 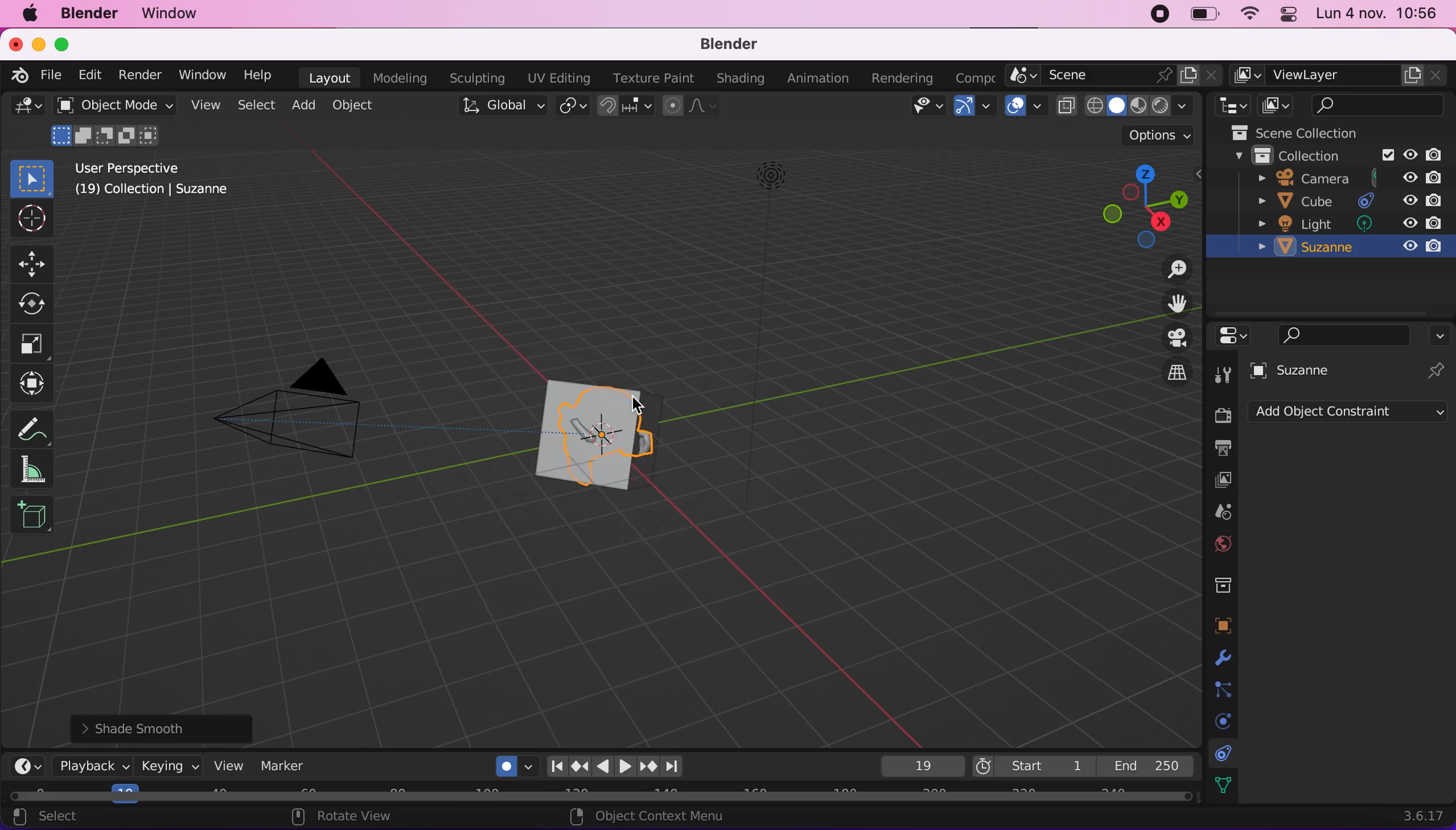 I want to click on shading, so click(x=739, y=79).